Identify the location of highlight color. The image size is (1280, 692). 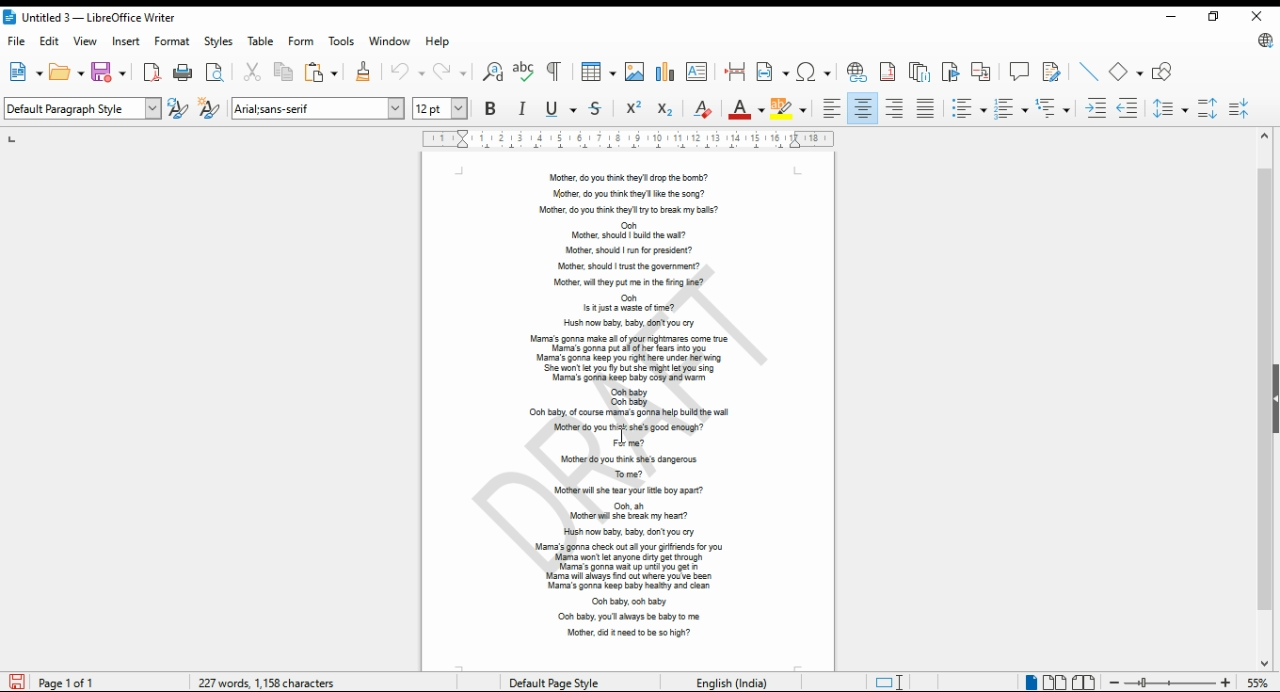
(791, 108).